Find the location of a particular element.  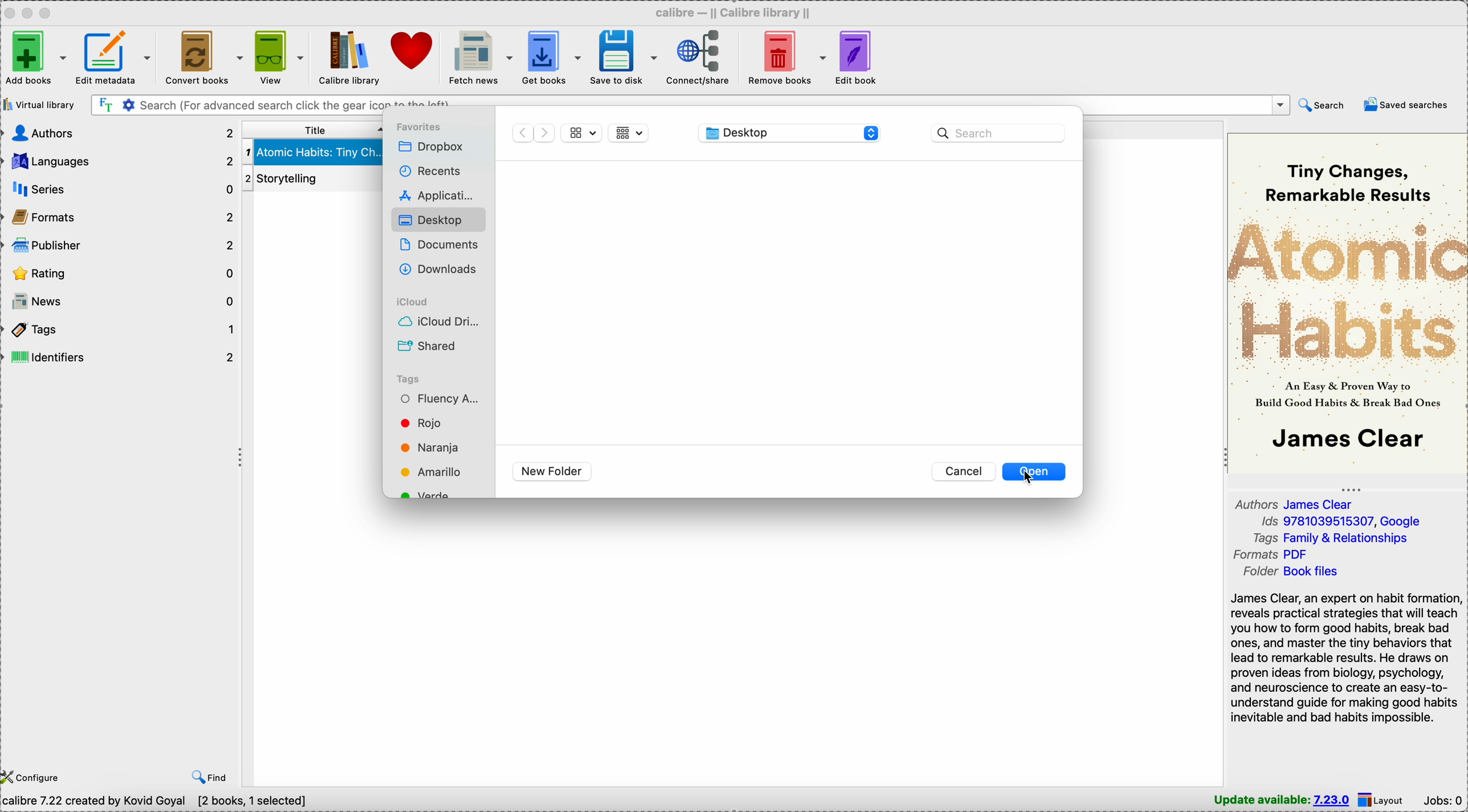

cursor is located at coordinates (1029, 480).